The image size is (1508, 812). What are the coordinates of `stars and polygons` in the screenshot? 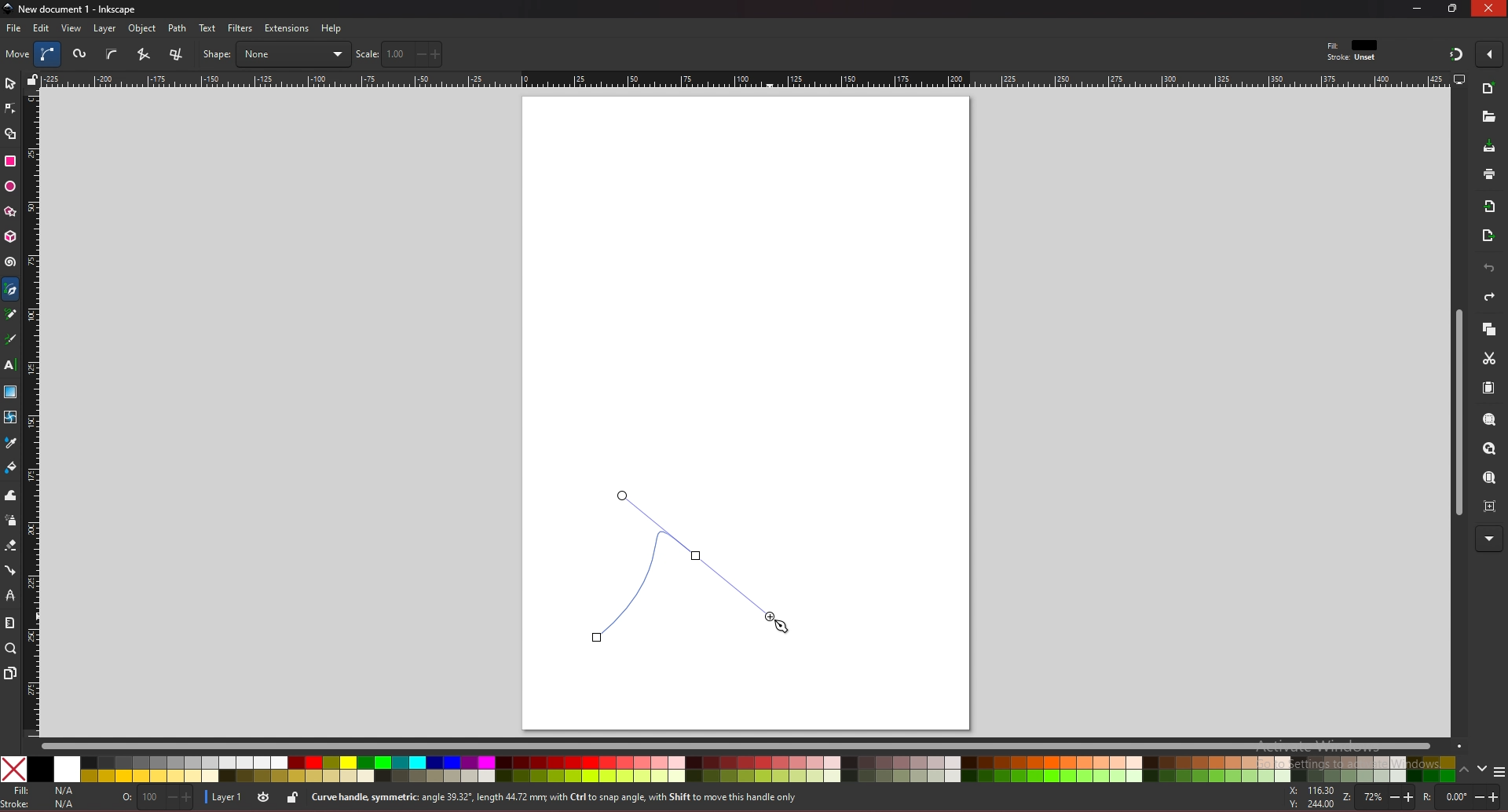 It's located at (11, 212).